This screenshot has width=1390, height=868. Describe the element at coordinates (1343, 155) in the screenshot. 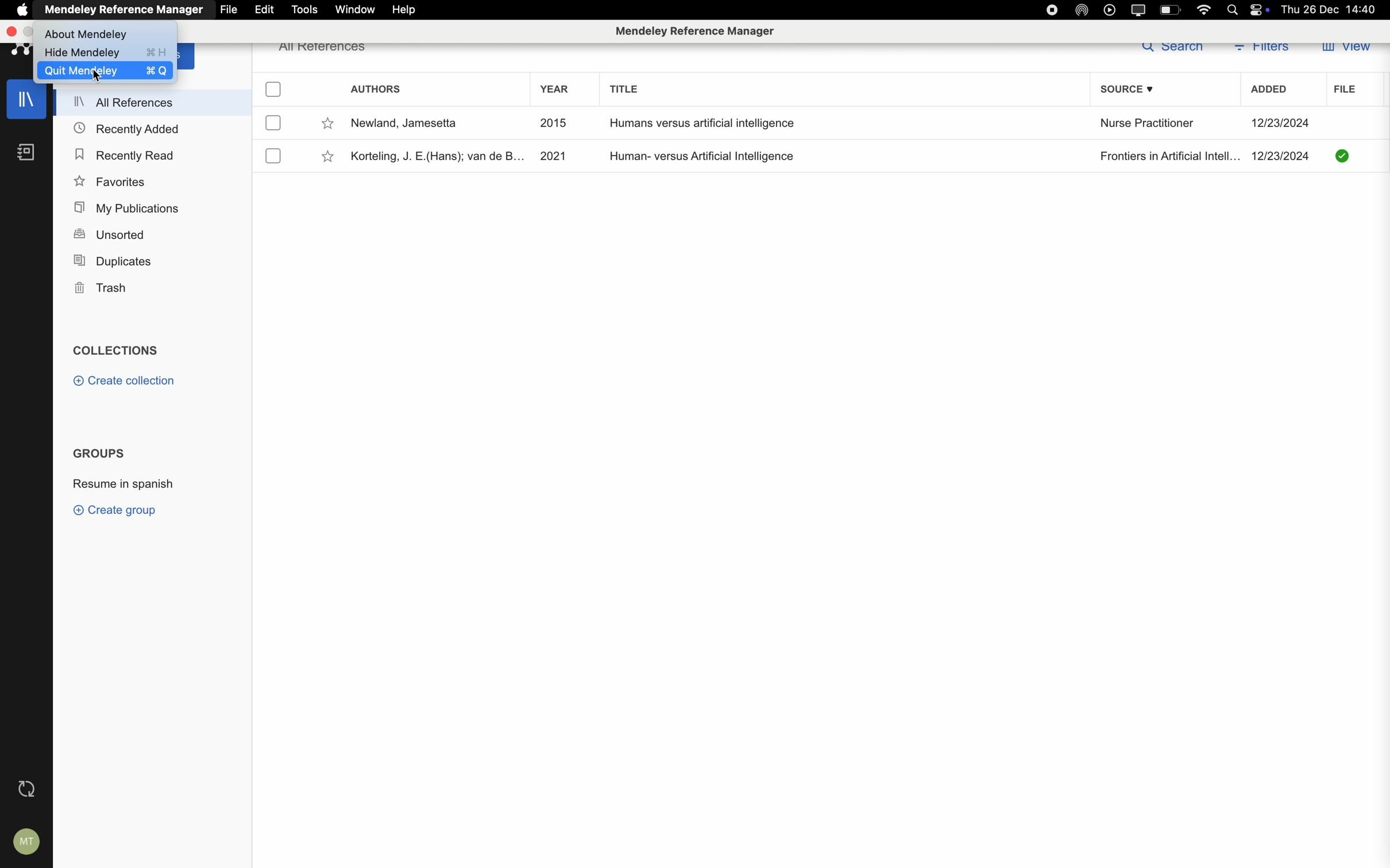

I see `file downloaded` at that location.